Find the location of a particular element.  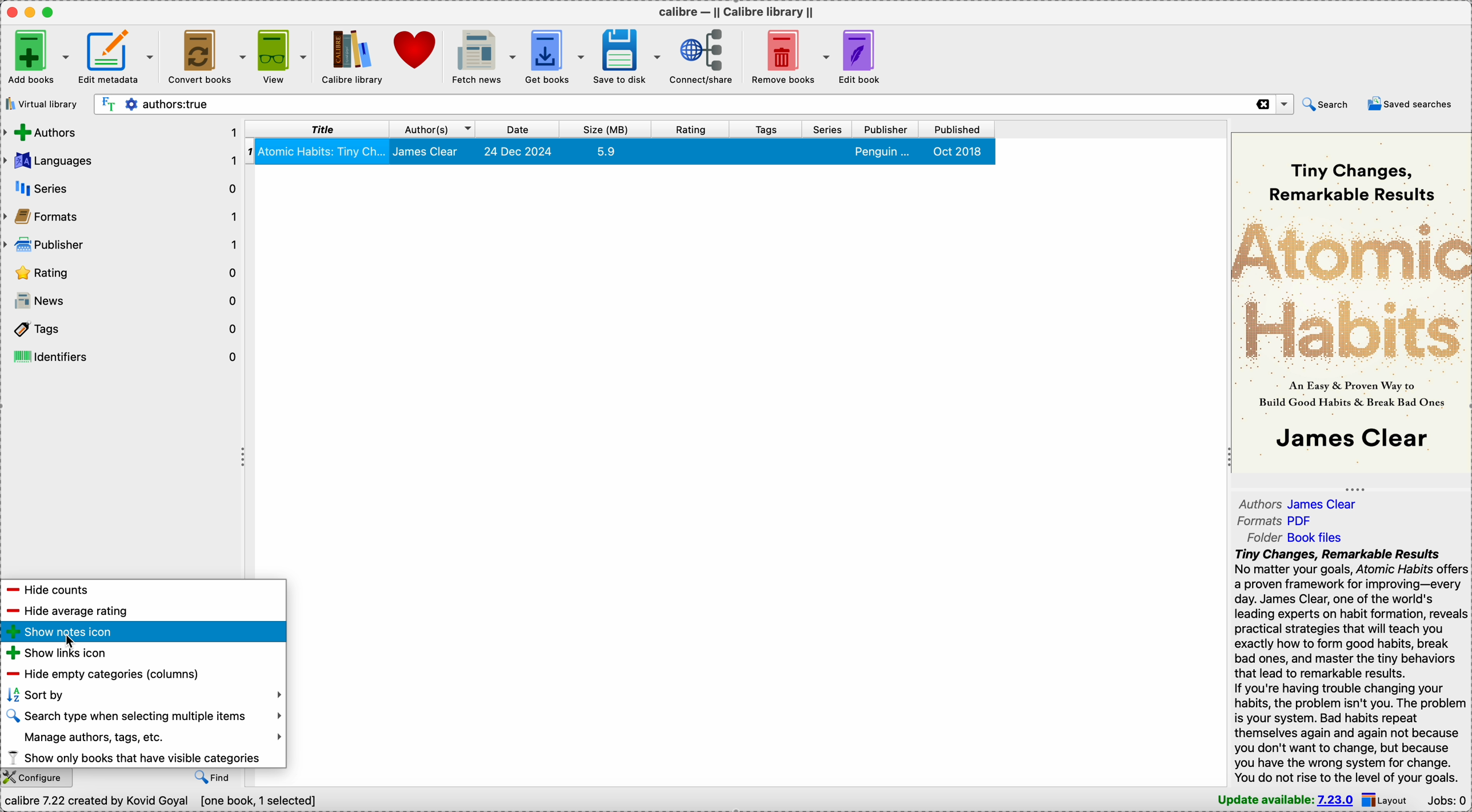

authors is located at coordinates (122, 133).